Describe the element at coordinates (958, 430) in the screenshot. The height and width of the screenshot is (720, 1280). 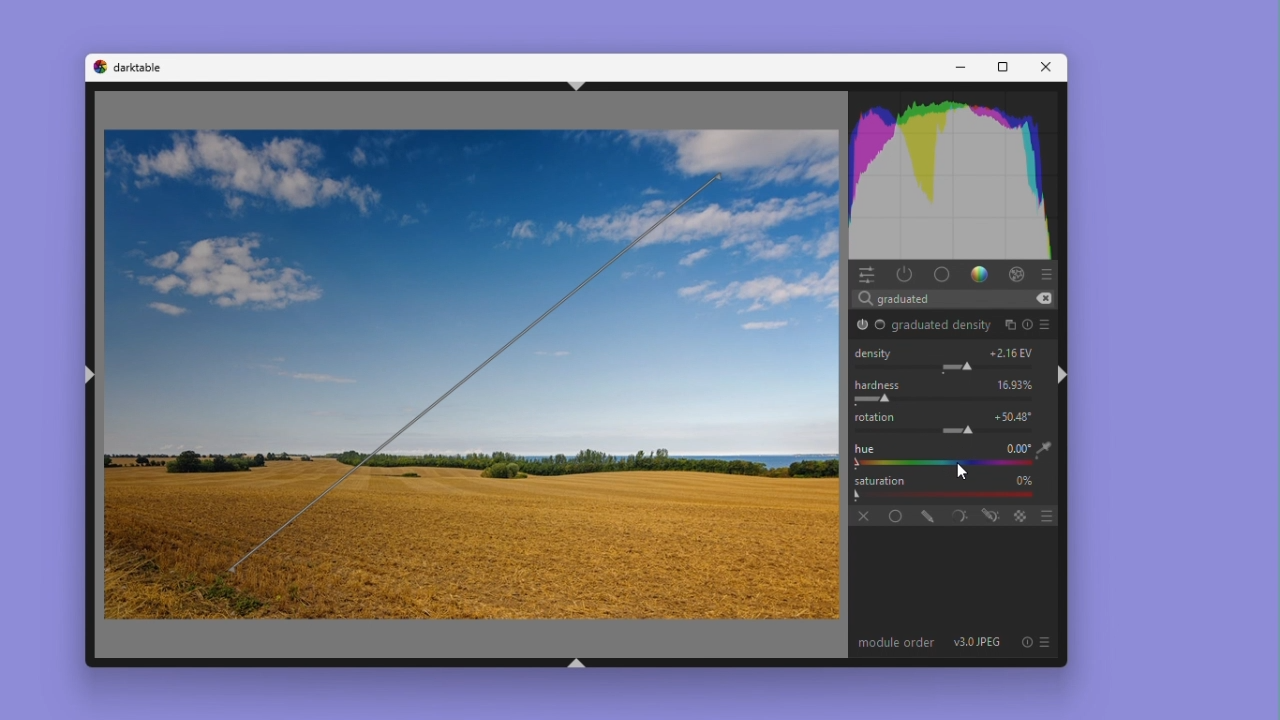
I see `rotation adjustment slider` at that location.